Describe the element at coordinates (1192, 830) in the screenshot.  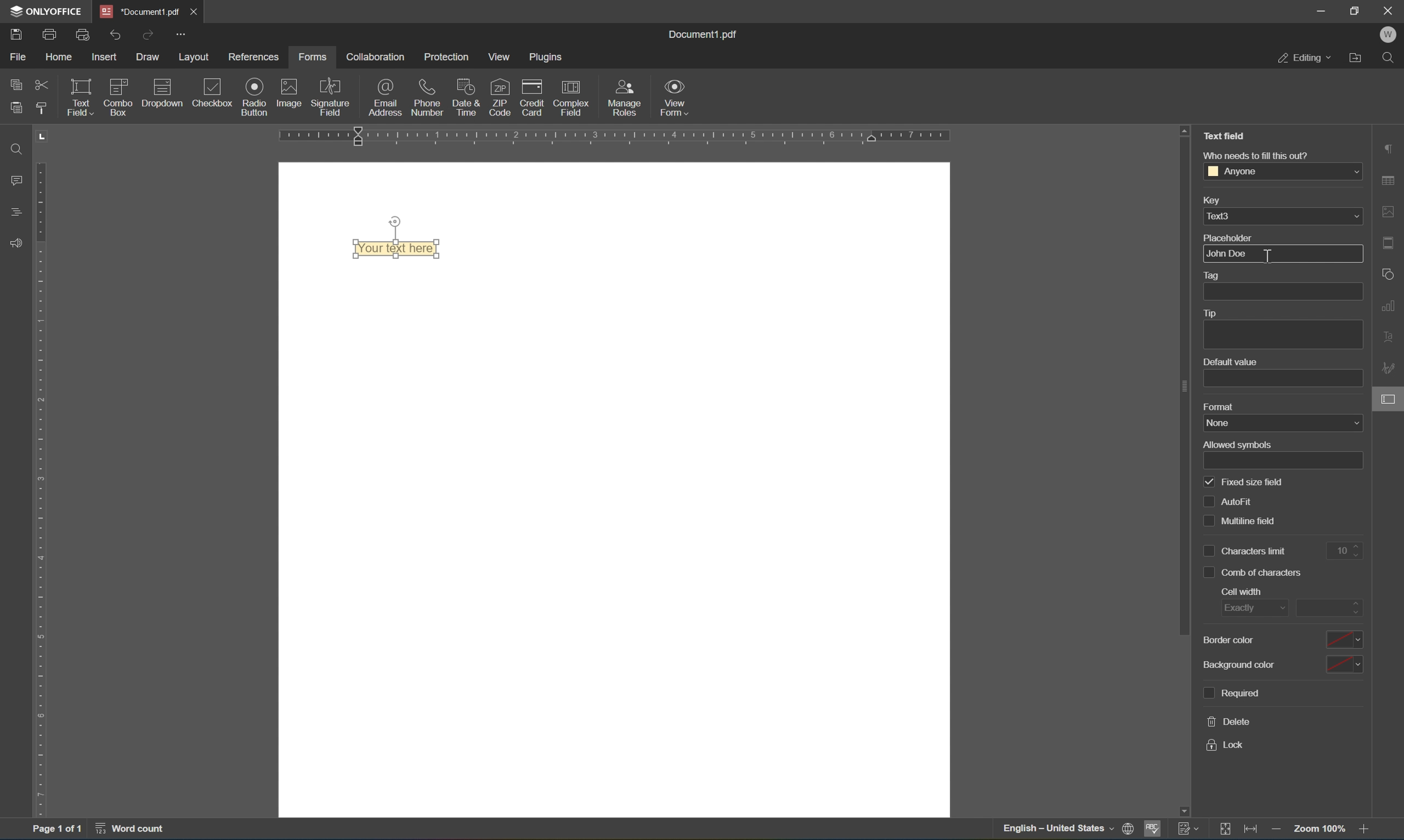
I see `track changes` at that location.